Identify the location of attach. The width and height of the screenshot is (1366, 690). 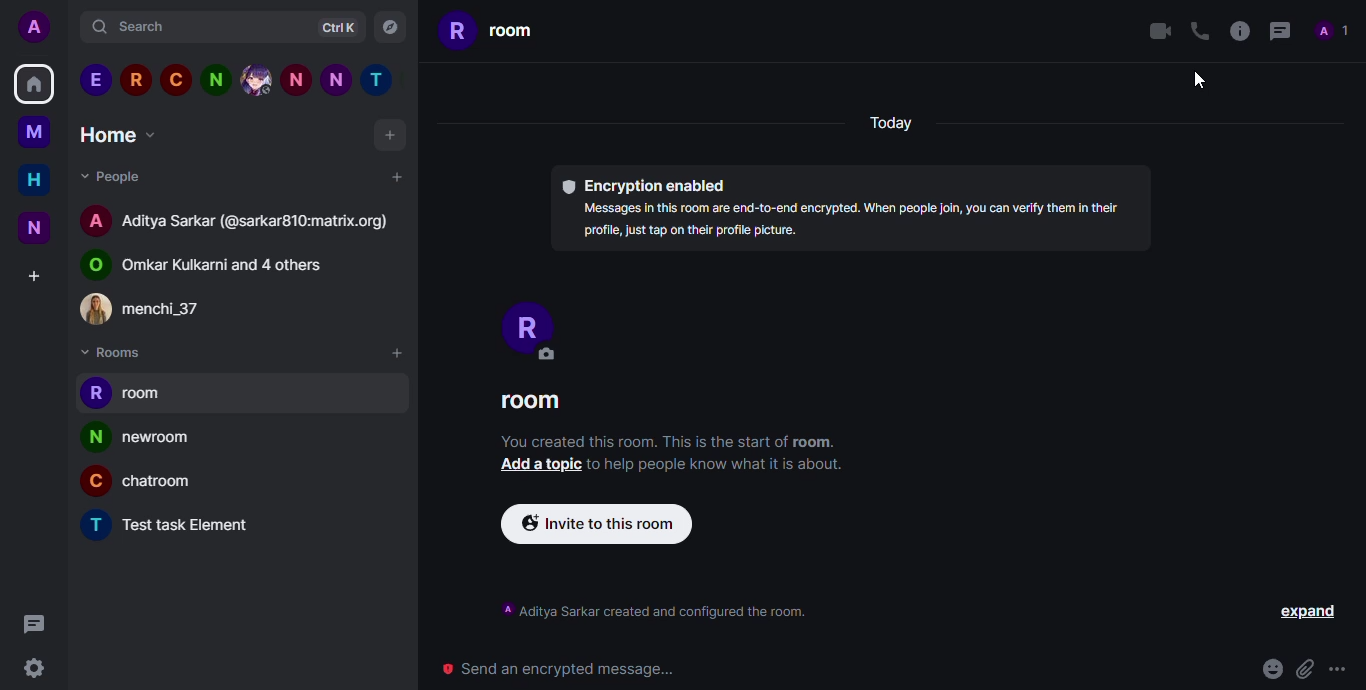
(1308, 664).